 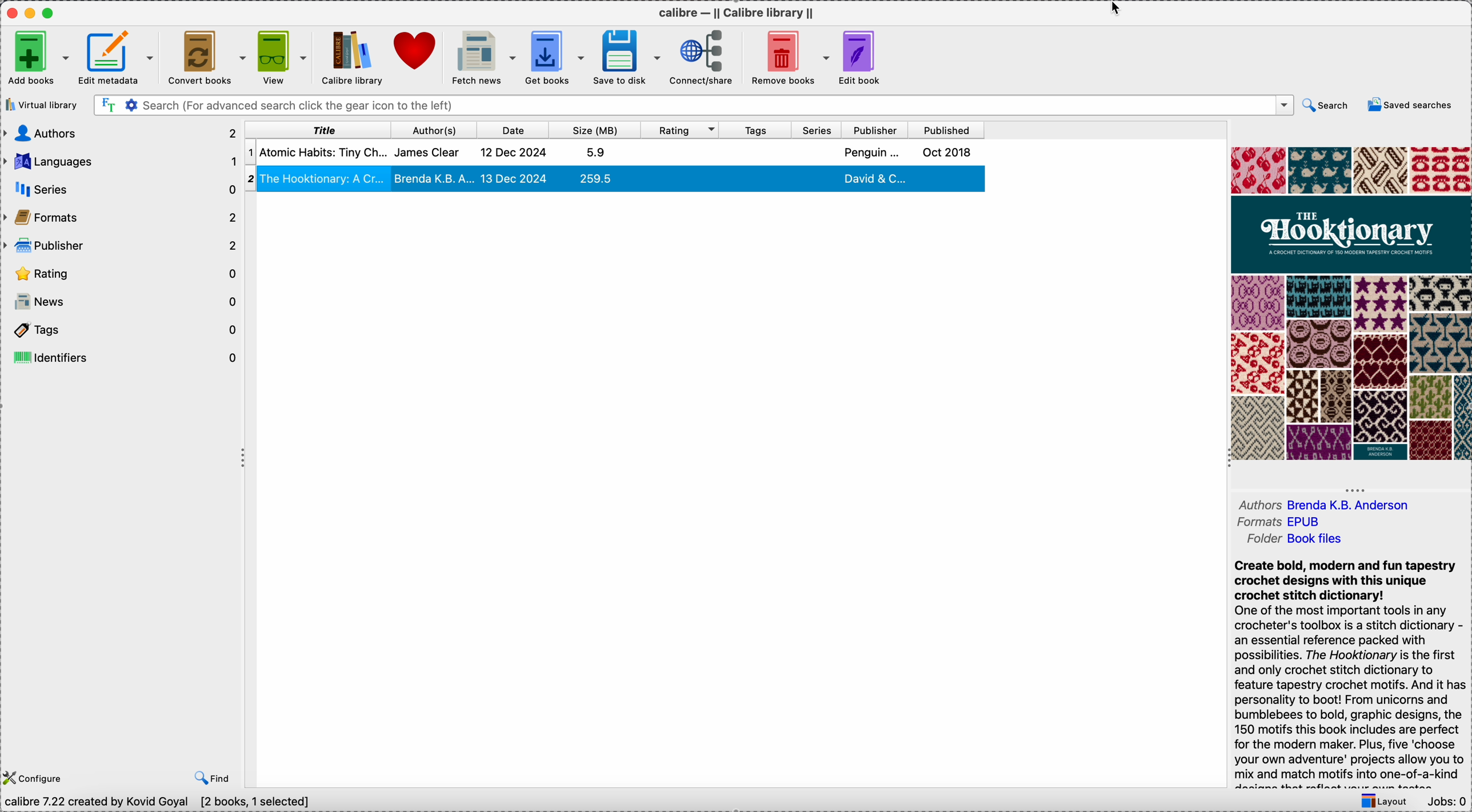 I want to click on news, so click(x=124, y=303).